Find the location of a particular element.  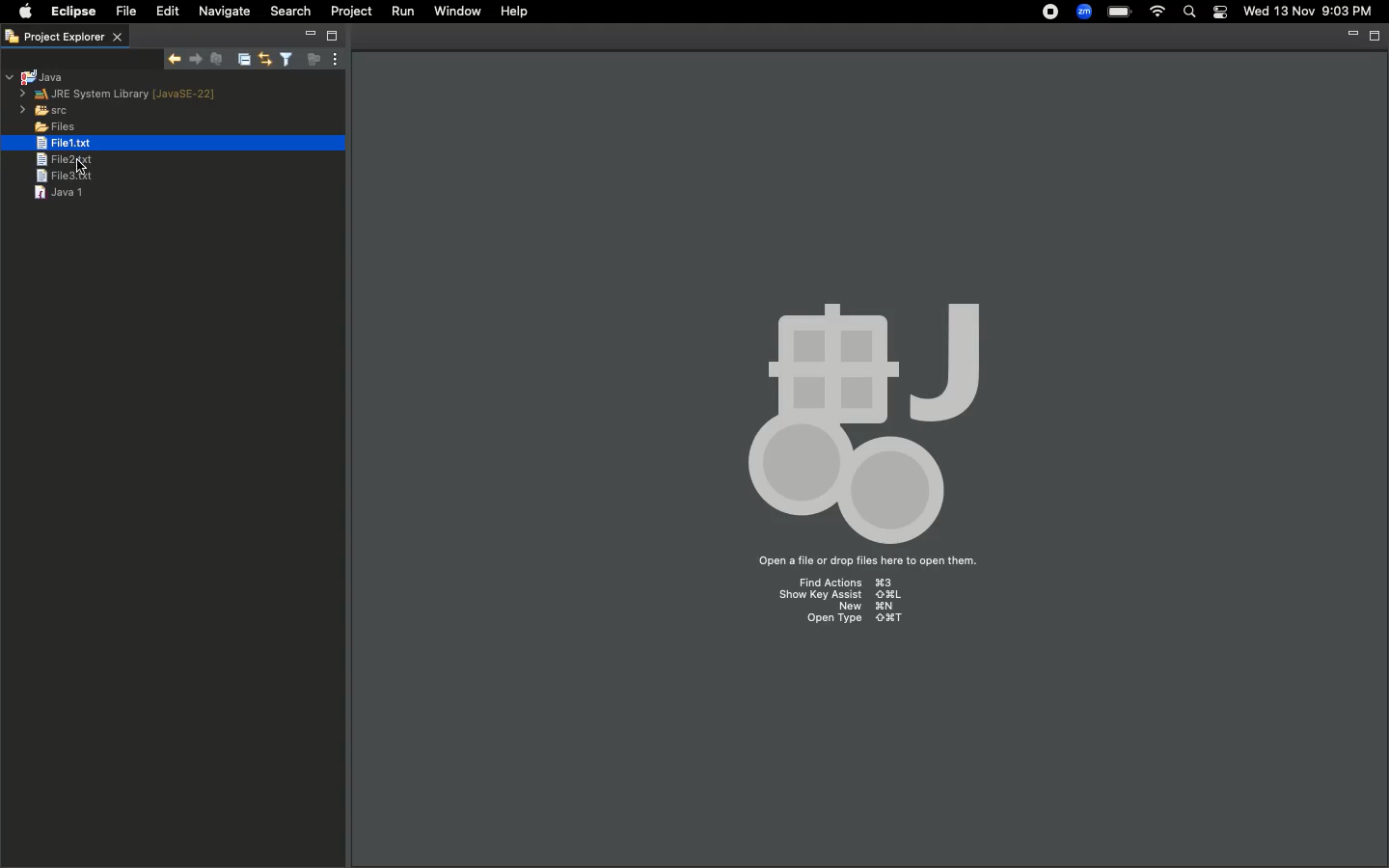

Maximize is located at coordinates (1373, 38).